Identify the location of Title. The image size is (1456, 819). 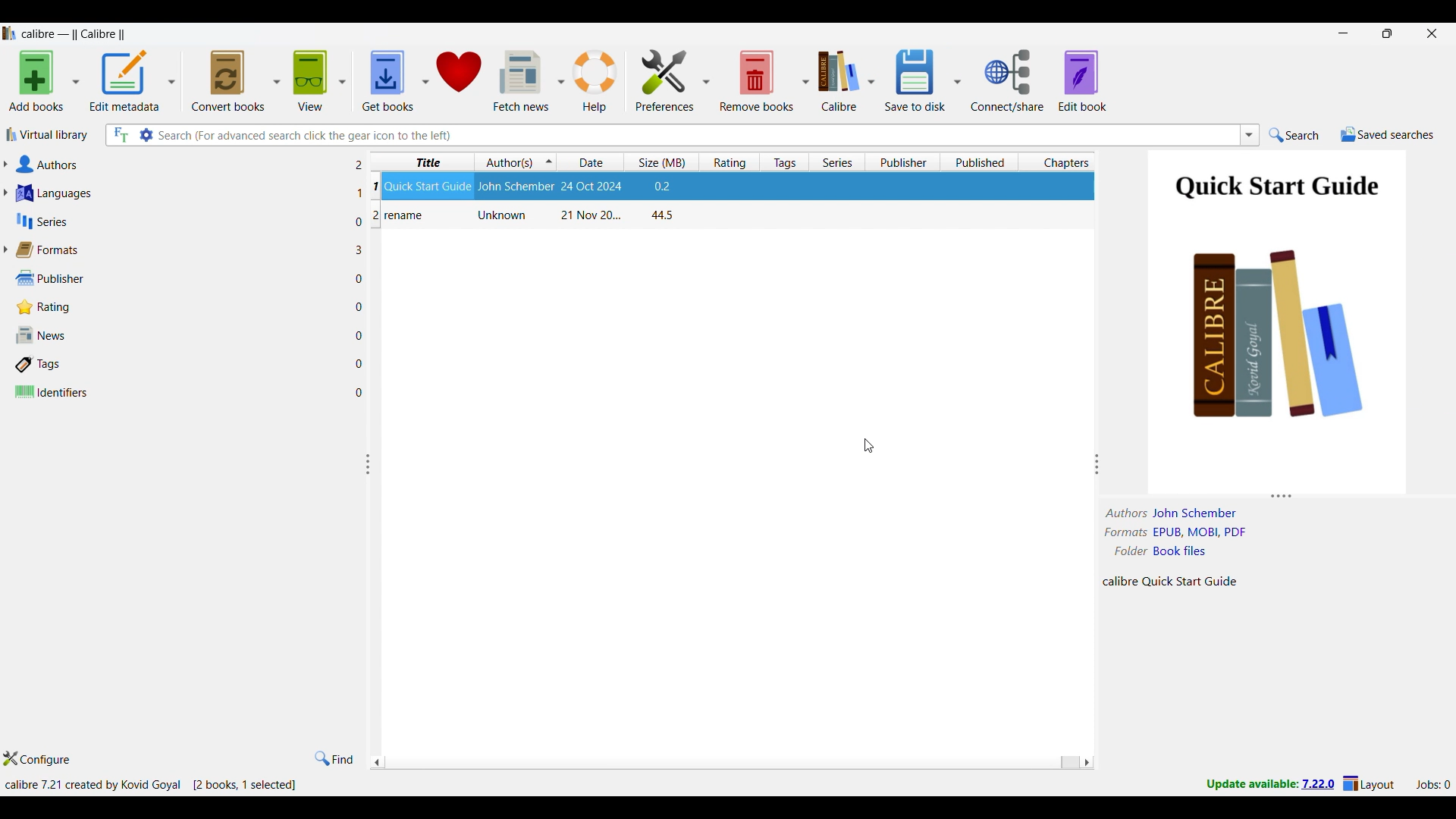
(428, 185).